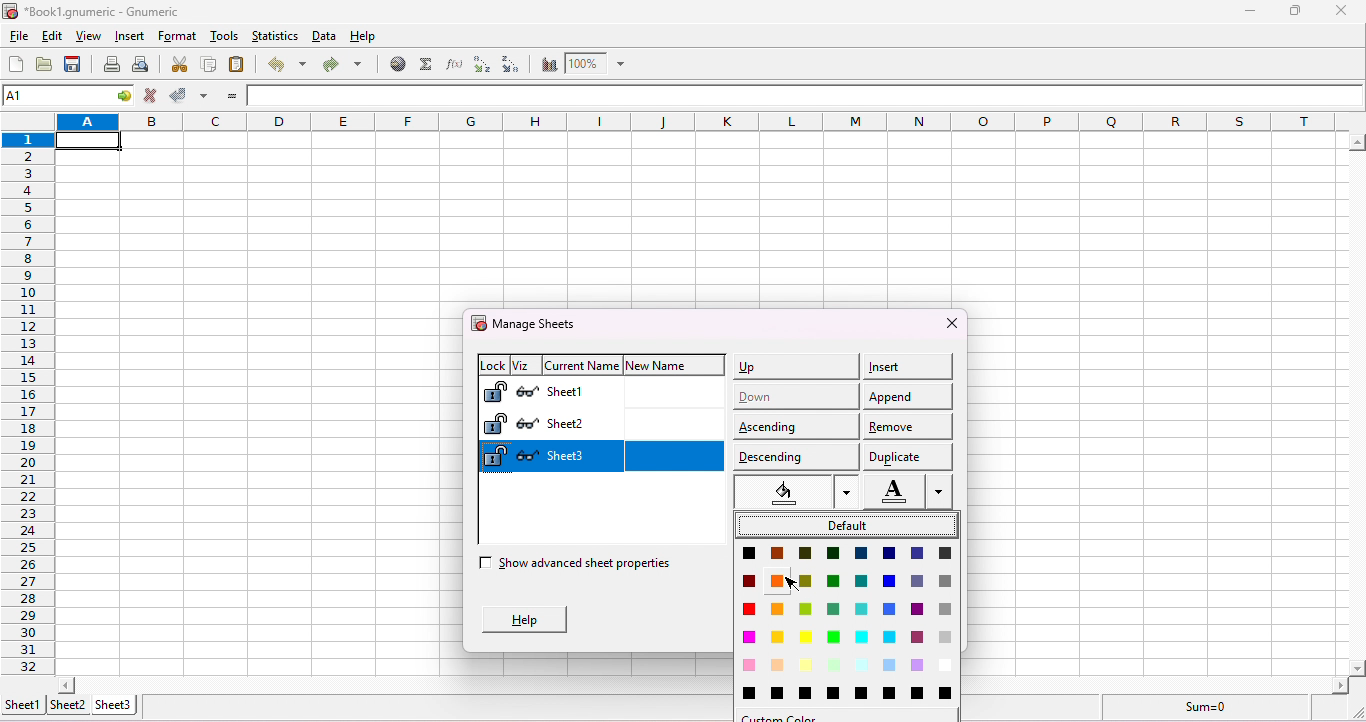  What do you see at coordinates (495, 424) in the screenshot?
I see `Lock sheet 2` at bounding box center [495, 424].